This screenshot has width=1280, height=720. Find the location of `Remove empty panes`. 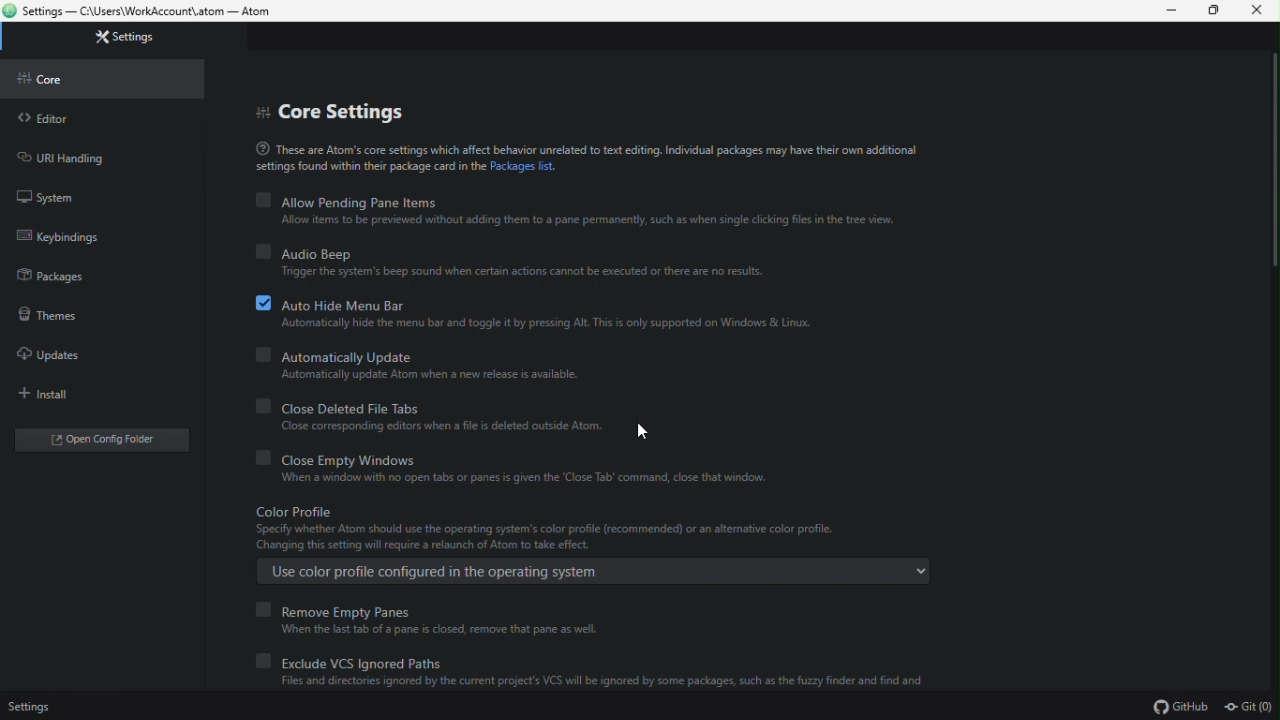

Remove empty panes is located at coordinates (440, 609).